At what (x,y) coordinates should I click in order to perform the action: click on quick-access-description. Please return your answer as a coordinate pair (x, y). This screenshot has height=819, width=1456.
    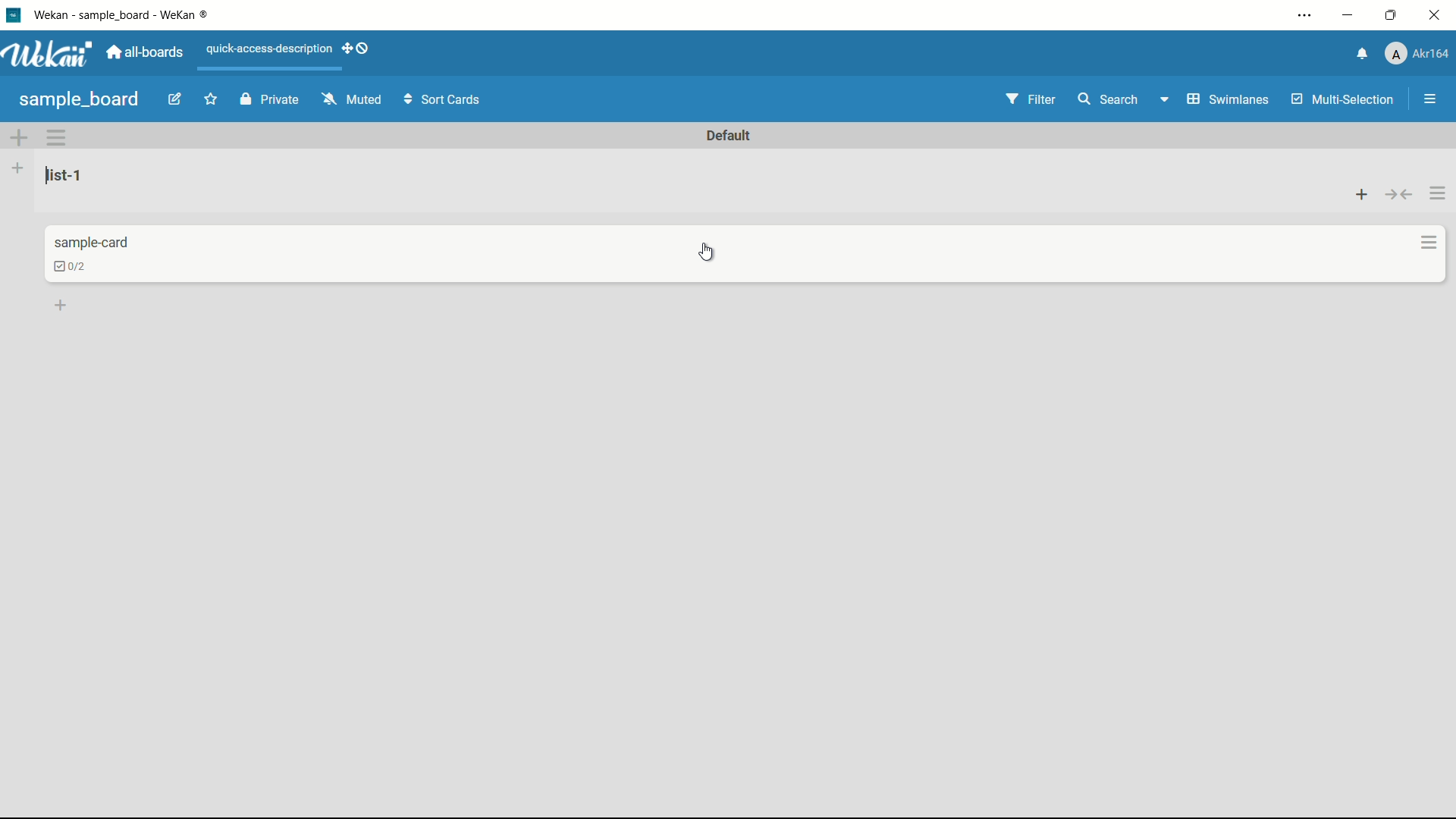
    Looking at the image, I should click on (269, 49).